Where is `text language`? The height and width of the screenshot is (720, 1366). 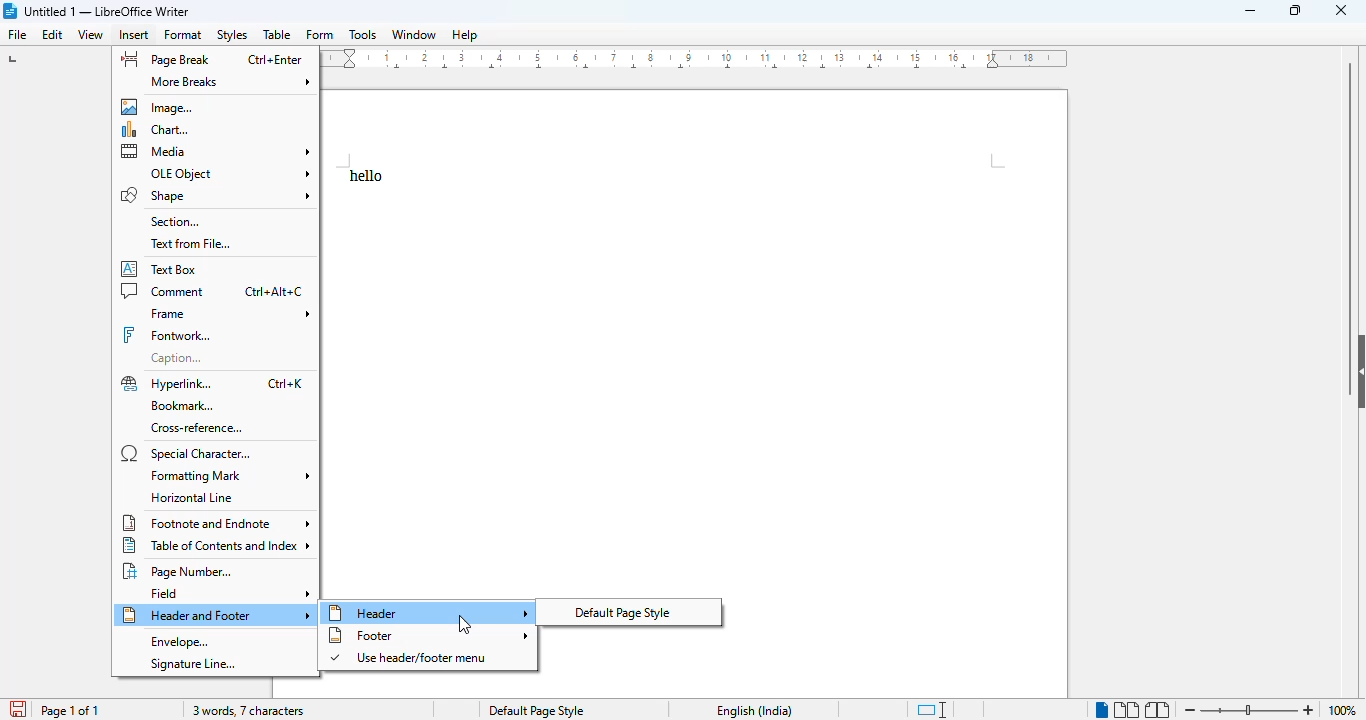
text language is located at coordinates (755, 711).